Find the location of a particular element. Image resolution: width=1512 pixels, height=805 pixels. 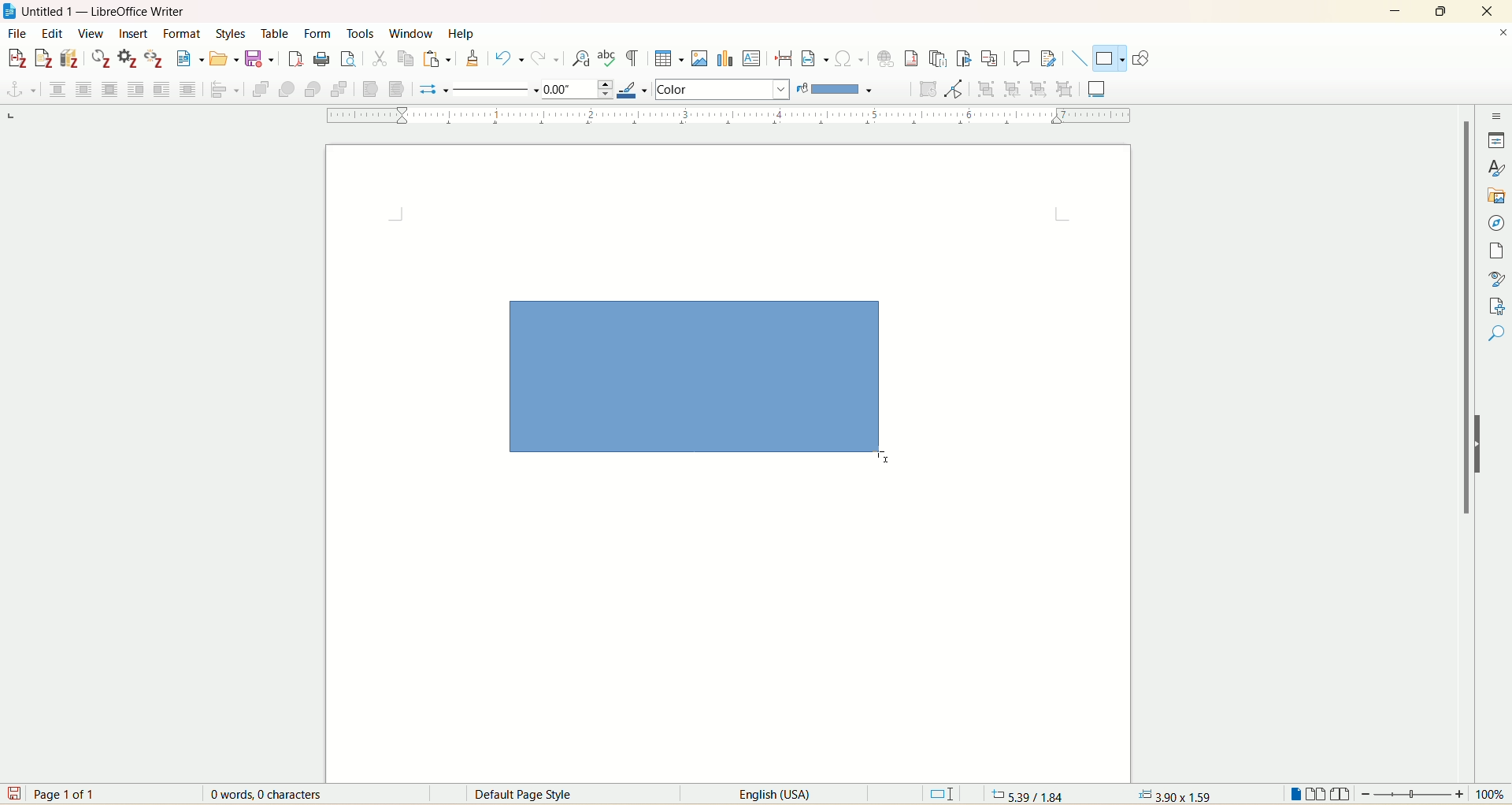

insert comment is located at coordinates (1024, 58).